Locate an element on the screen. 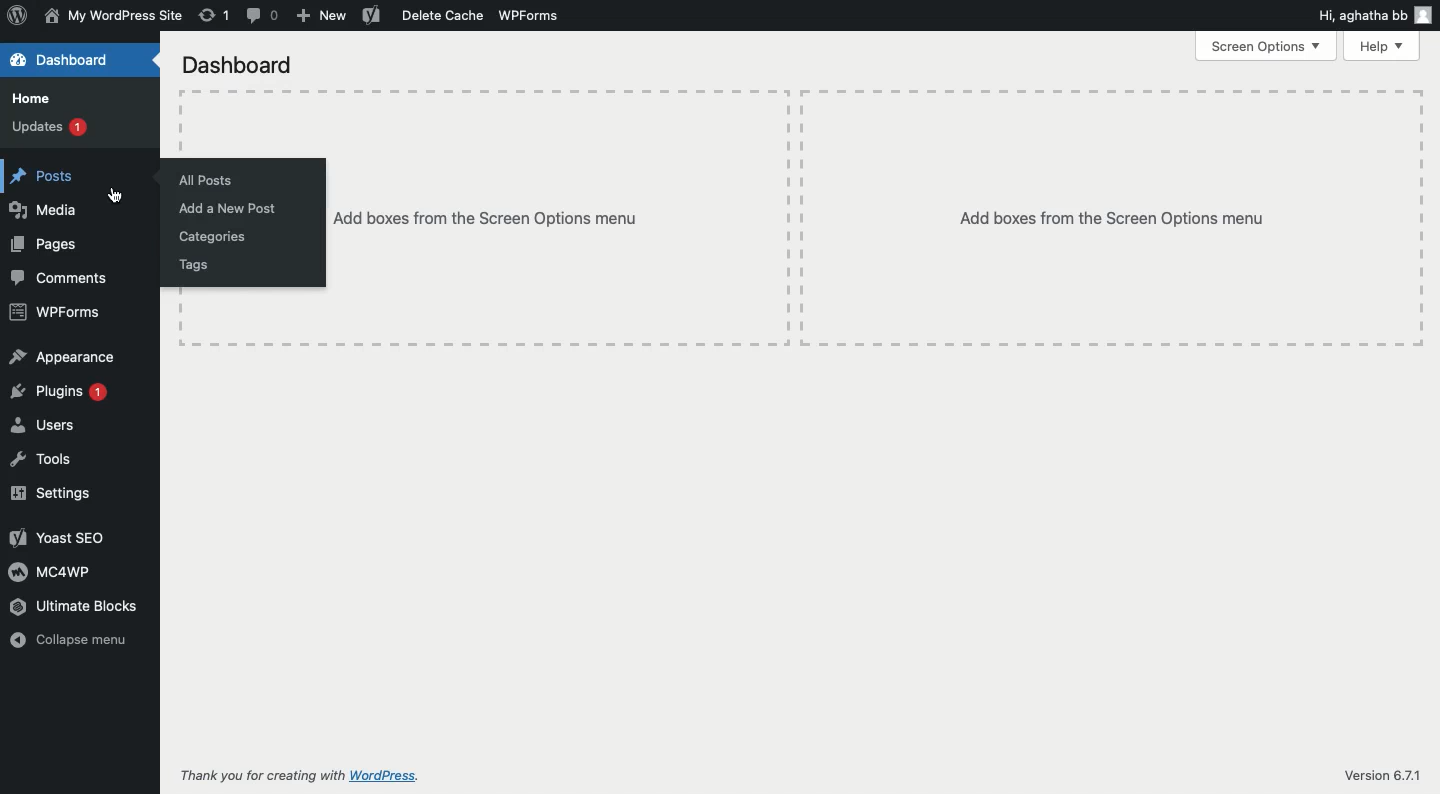 The width and height of the screenshot is (1440, 794). Tags is located at coordinates (194, 267).